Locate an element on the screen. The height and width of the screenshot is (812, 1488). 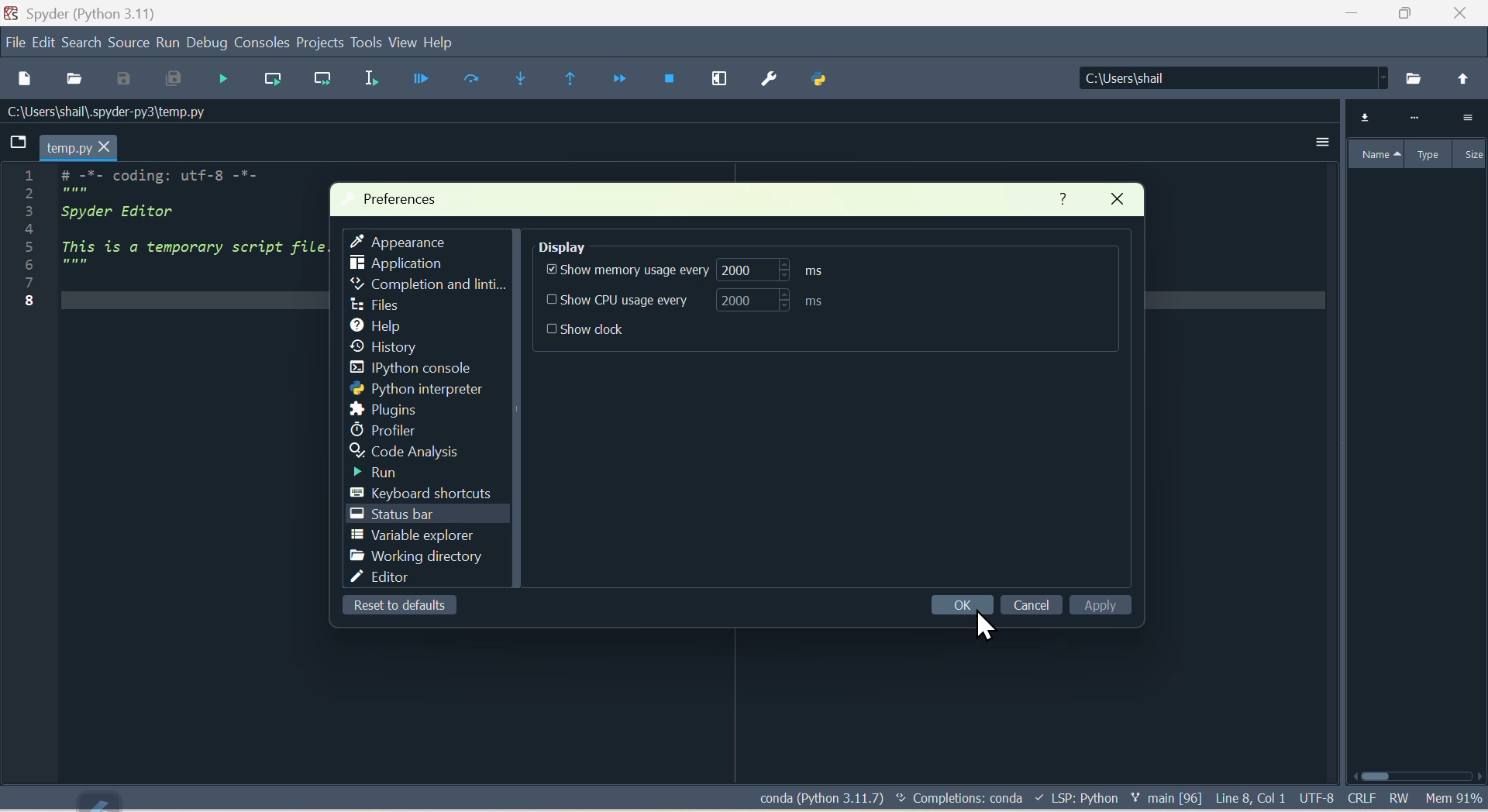
code - # -*- coding: utf-8 2 3 Spyder Editor 4 5 This is a temporary script file. 6 """ is located at coordinates (162, 234).